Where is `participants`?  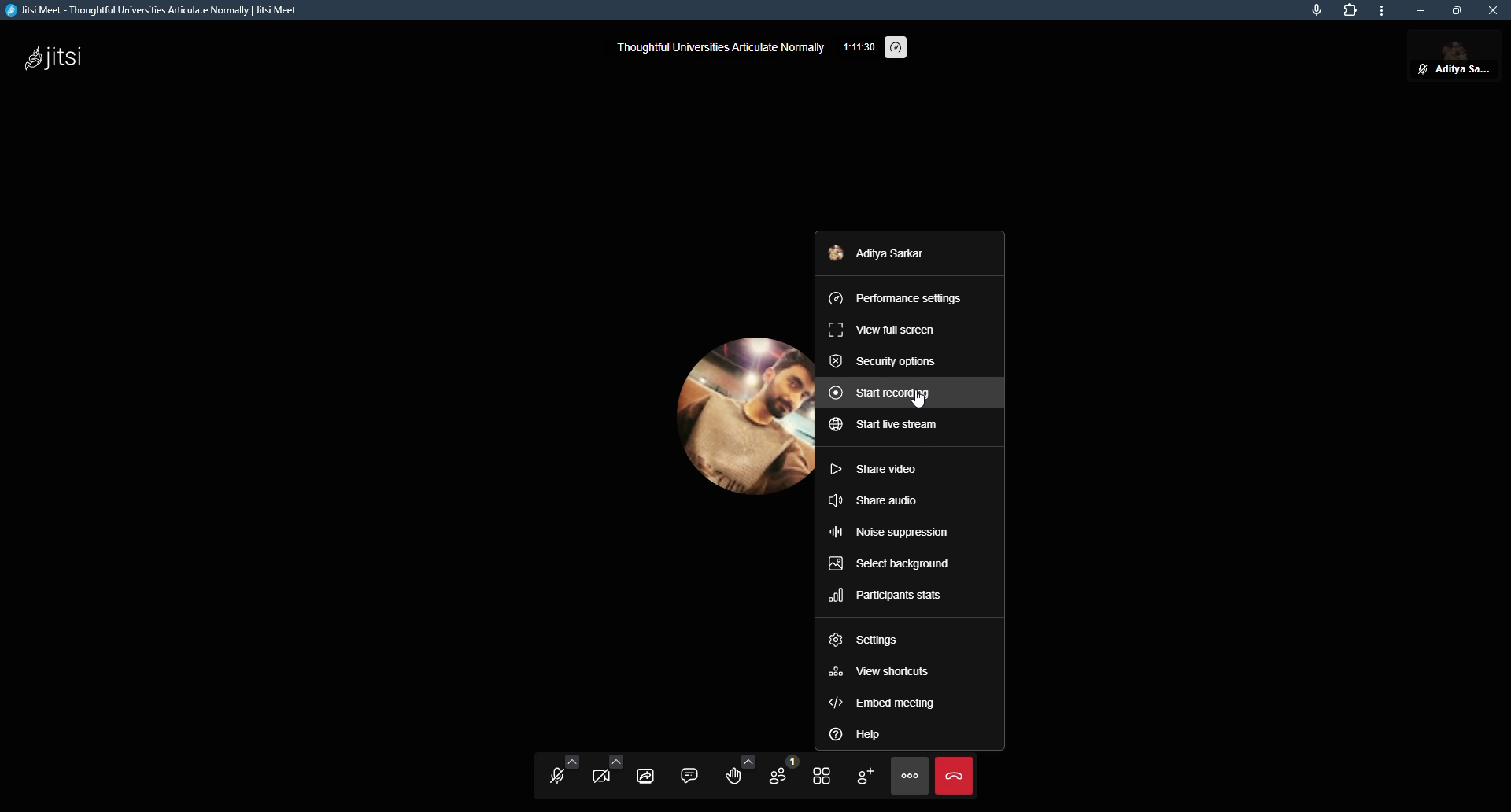 participants is located at coordinates (778, 775).